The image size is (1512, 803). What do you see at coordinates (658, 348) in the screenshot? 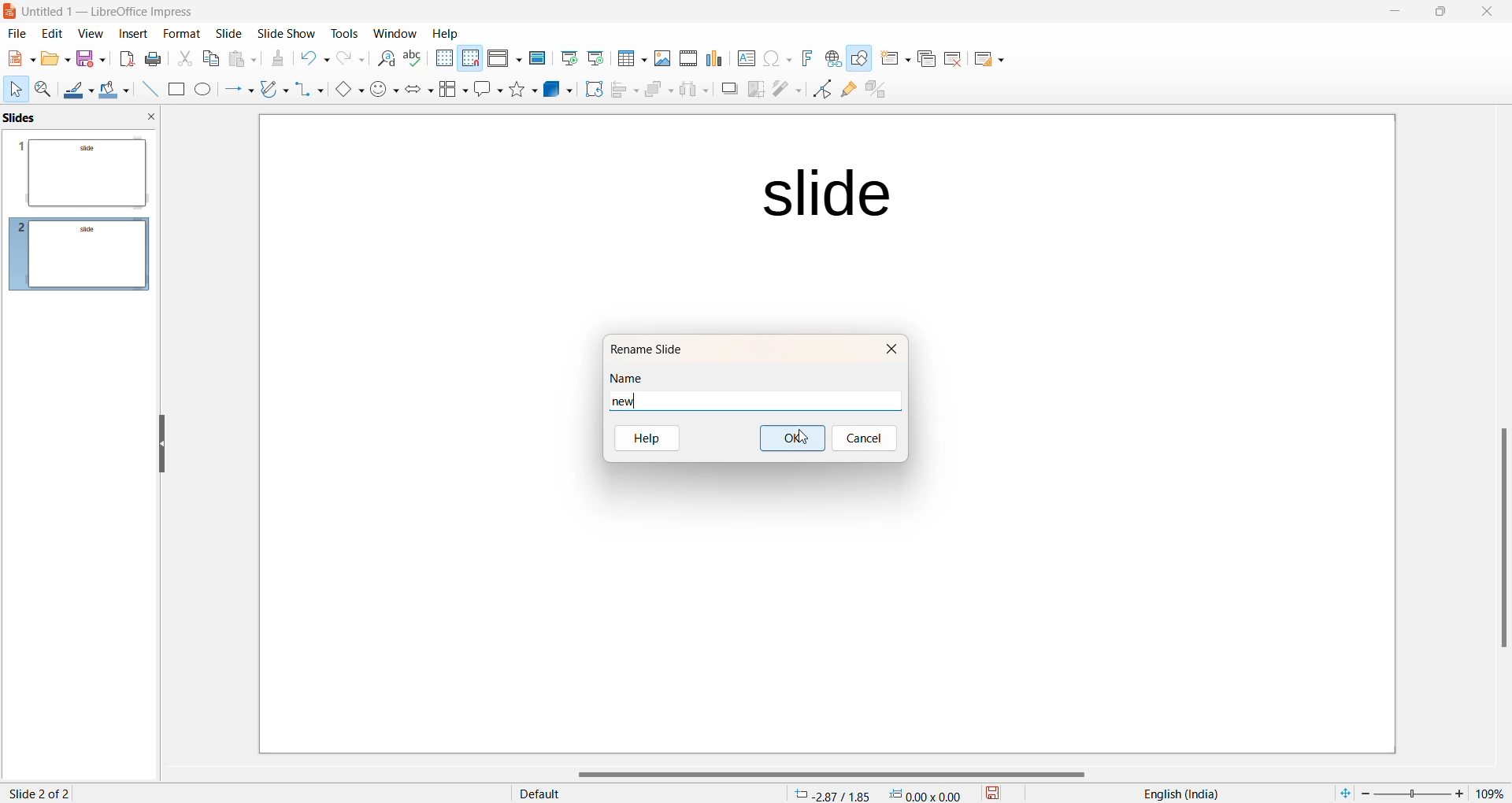
I see `rename slide option` at bounding box center [658, 348].